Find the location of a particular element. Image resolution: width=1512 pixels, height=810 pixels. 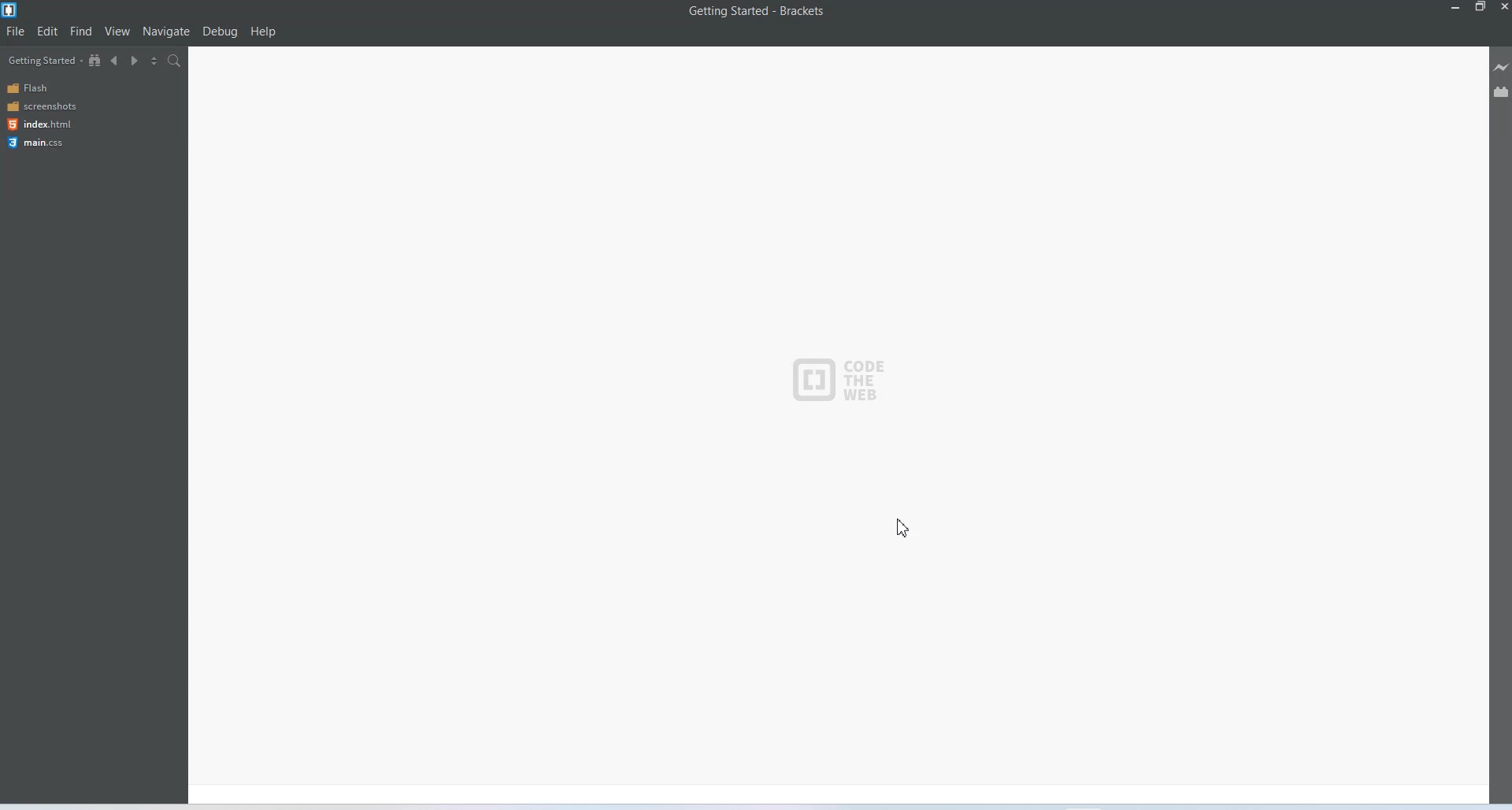

index.html is located at coordinates (38, 124).